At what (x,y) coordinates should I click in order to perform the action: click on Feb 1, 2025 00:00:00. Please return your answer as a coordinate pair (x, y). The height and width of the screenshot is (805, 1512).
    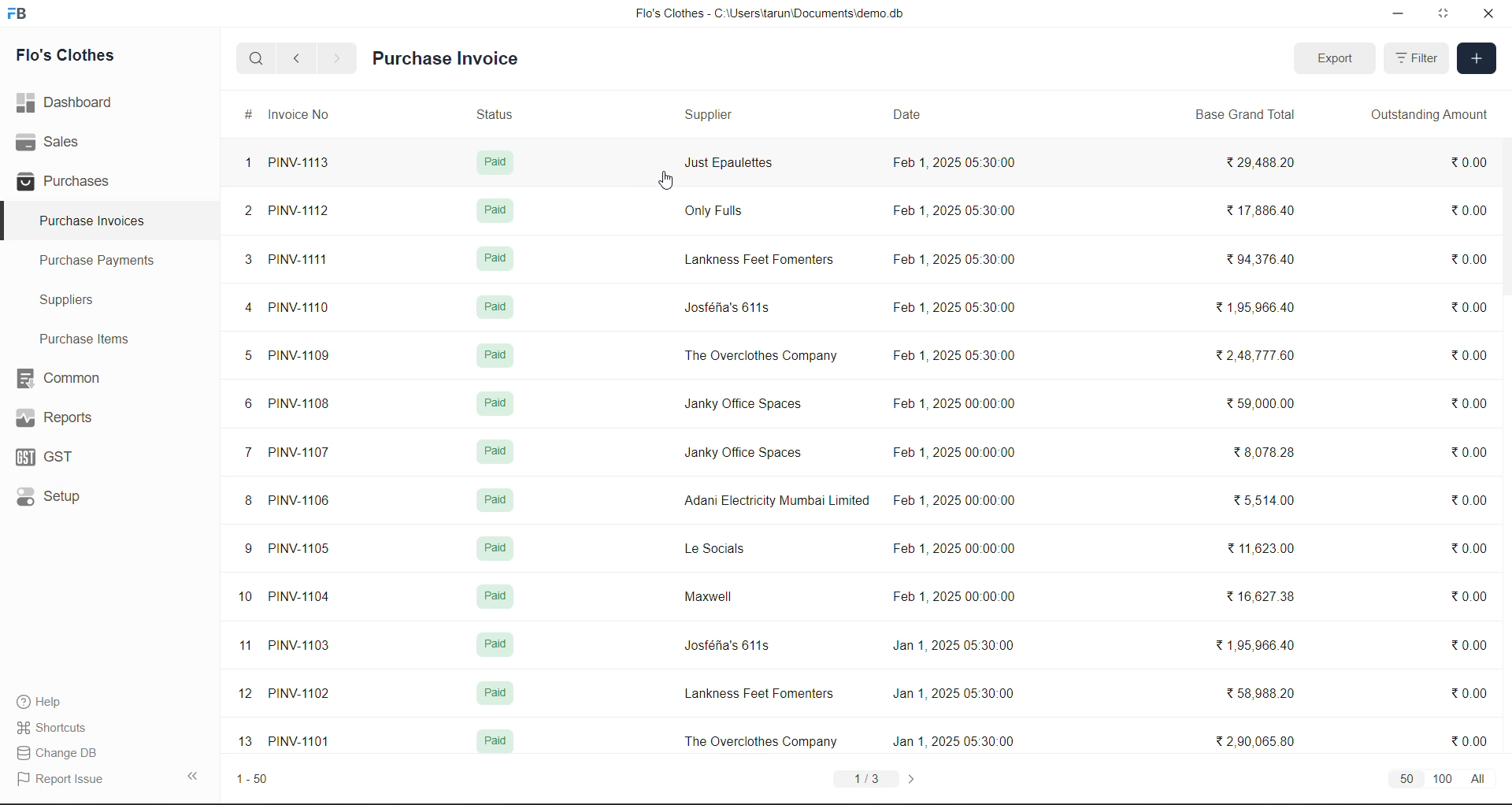
    Looking at the image, I should click on (955, 553).